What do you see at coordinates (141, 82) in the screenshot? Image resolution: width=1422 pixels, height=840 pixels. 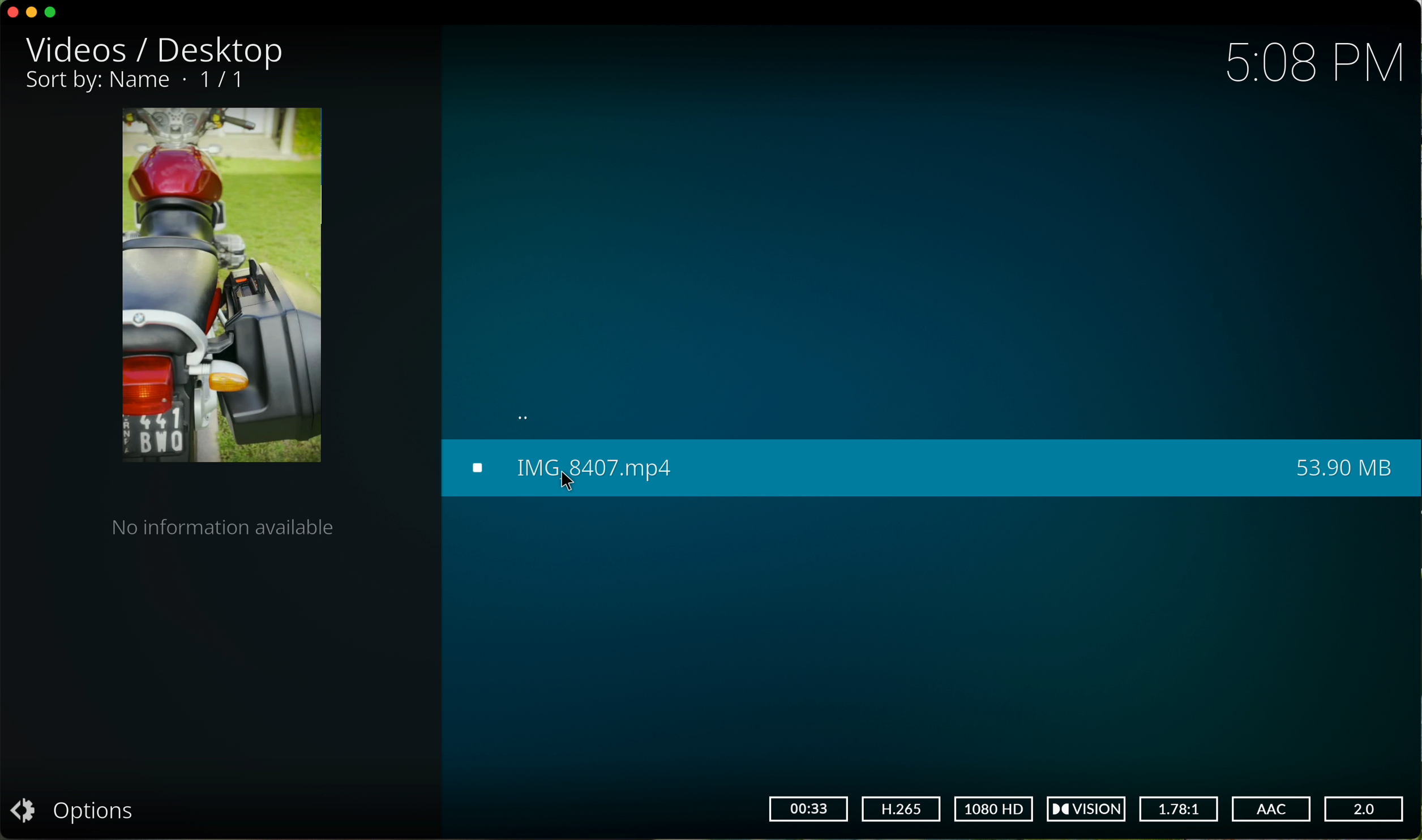 I see `1/1` at bounding box center [141, 82].